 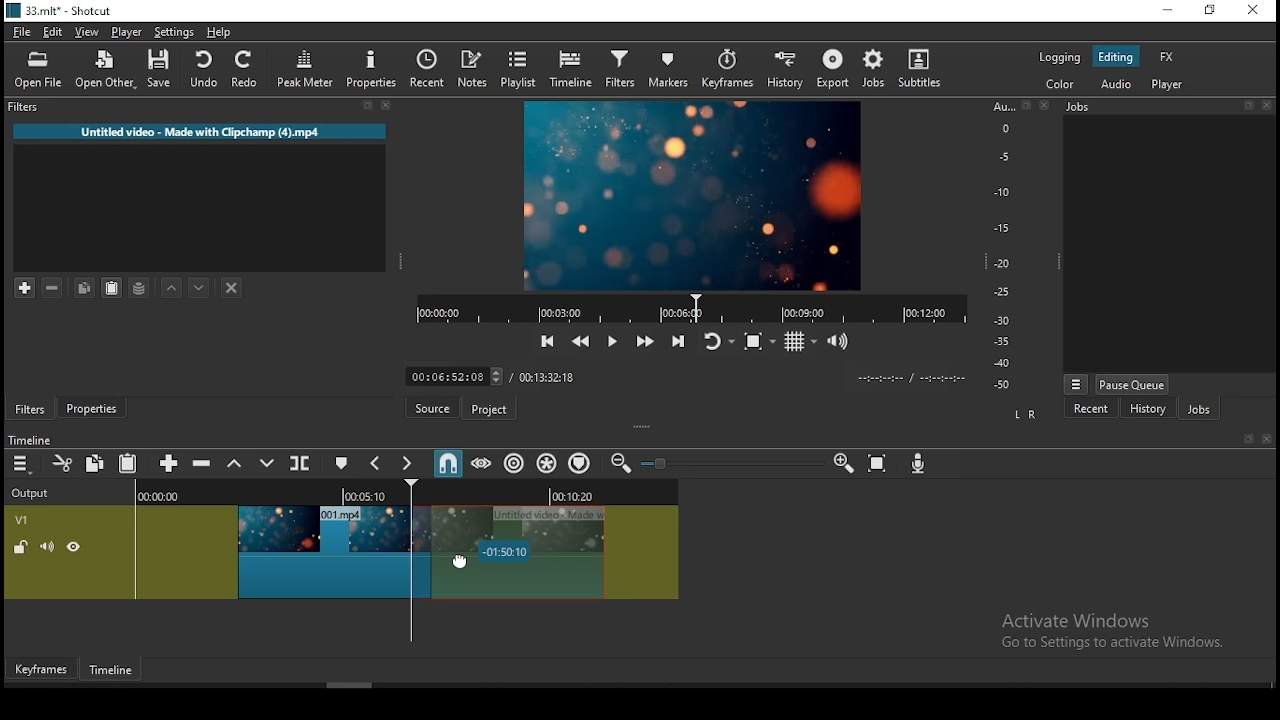 What do you see at coordinates (1055, 56) in the screenshot?
I see `logging` at bounding box center [1055, 56].